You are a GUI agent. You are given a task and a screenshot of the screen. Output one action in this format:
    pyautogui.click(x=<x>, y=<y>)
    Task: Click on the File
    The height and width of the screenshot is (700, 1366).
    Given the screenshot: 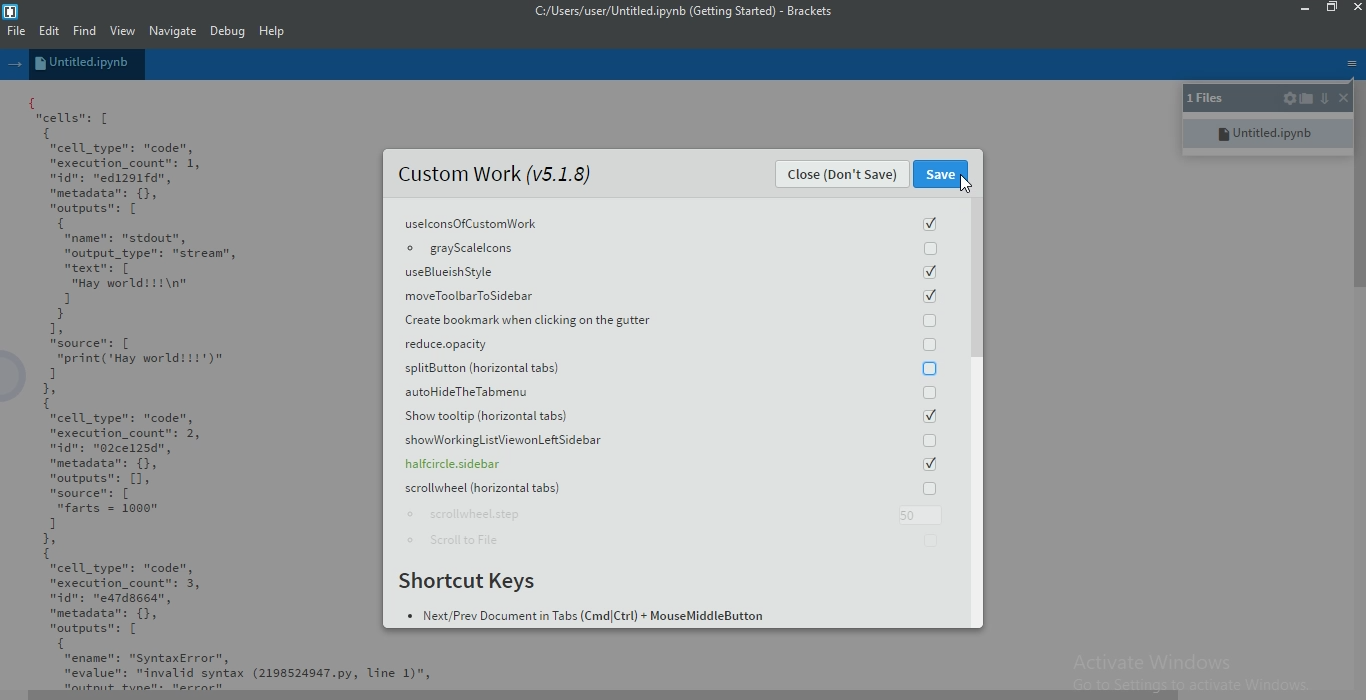 What is the action you would take?
    pyautogui.click(x=16, y=32)
    